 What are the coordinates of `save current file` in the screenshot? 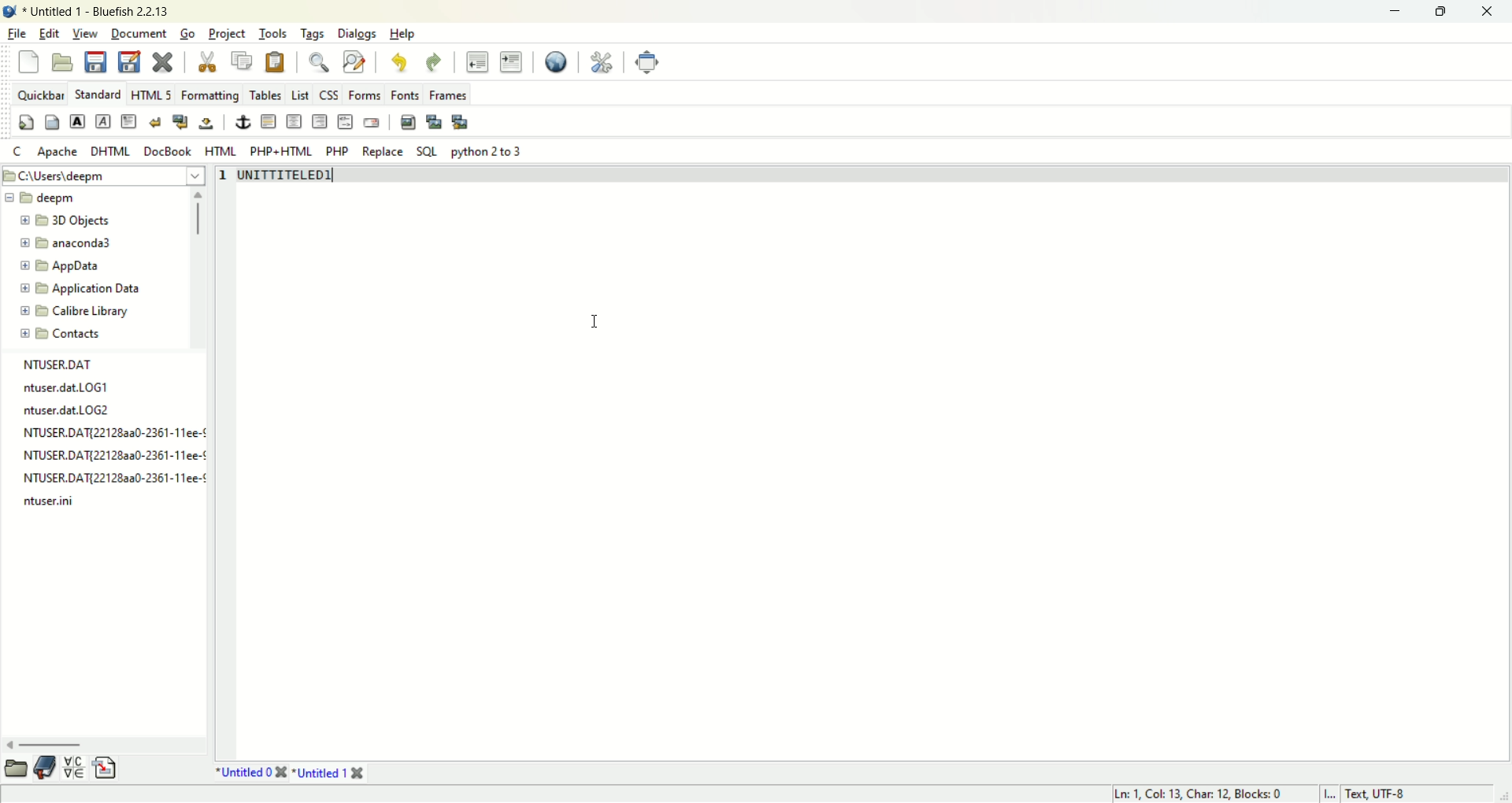 It's located at (95, 61).